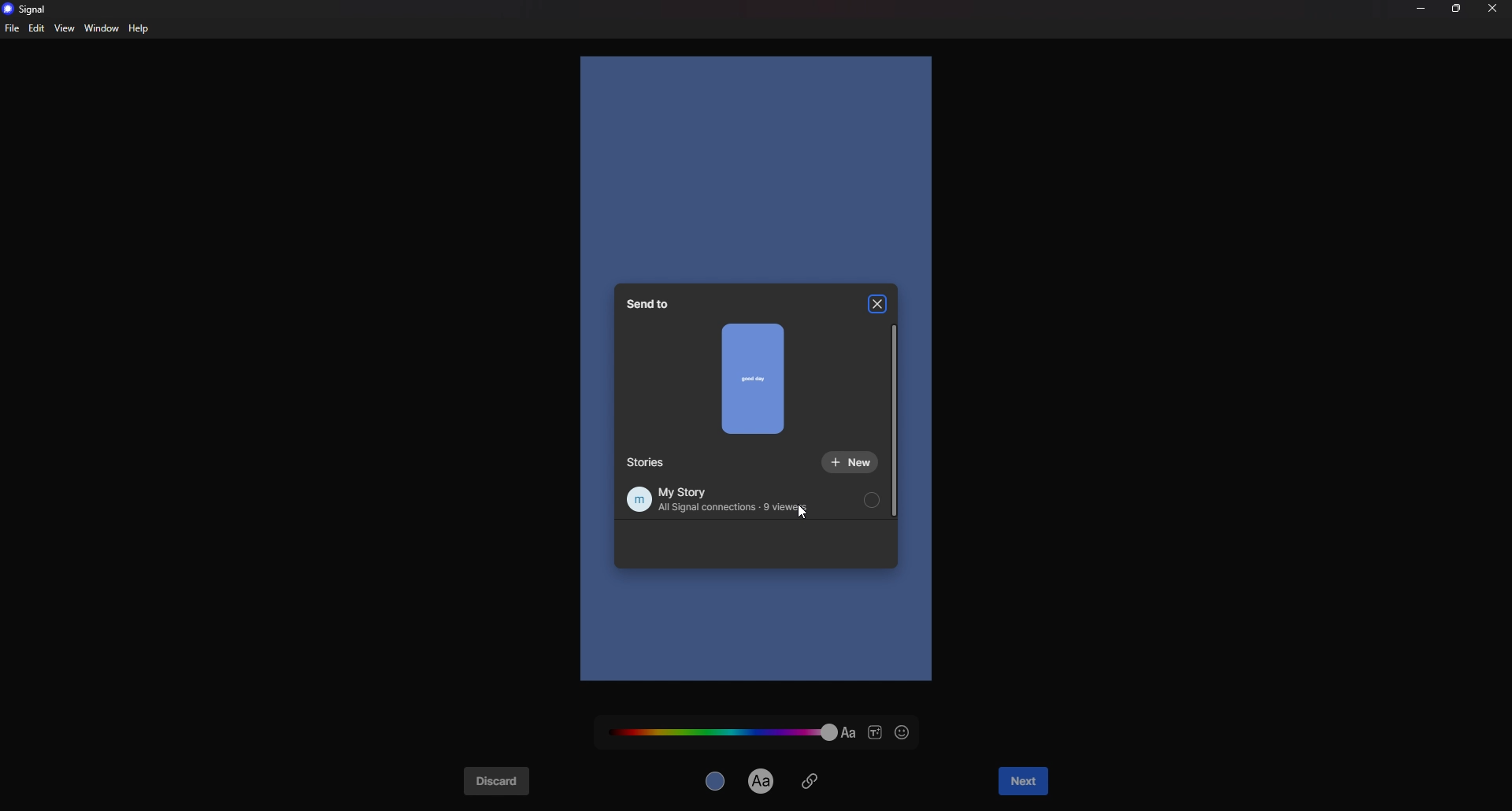  Describe the element at coordinates (1458, 8) in the screenshot. I see `resize` at that location.